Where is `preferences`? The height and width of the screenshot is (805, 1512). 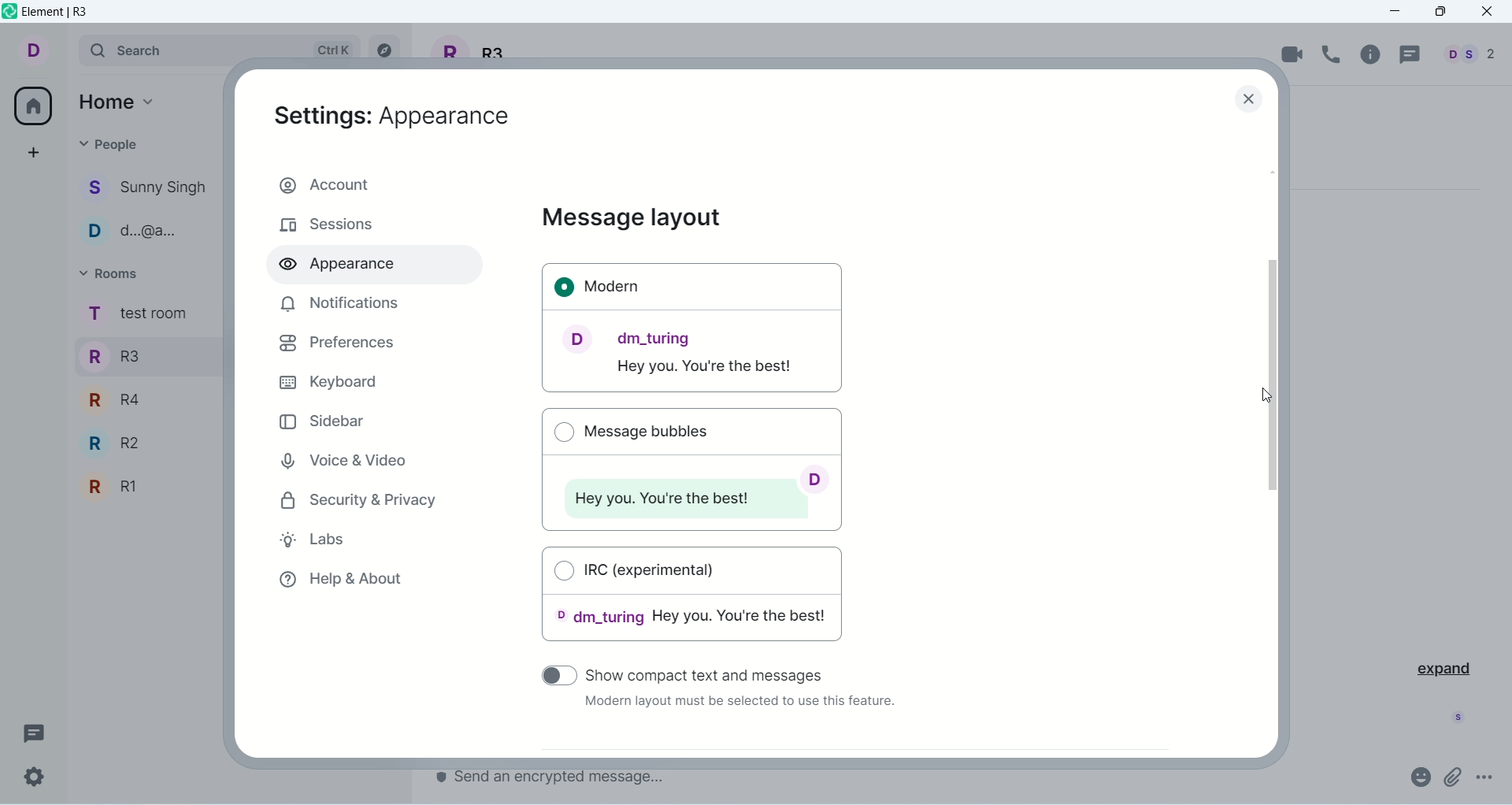 preferences is located at coordinates (337, 343).